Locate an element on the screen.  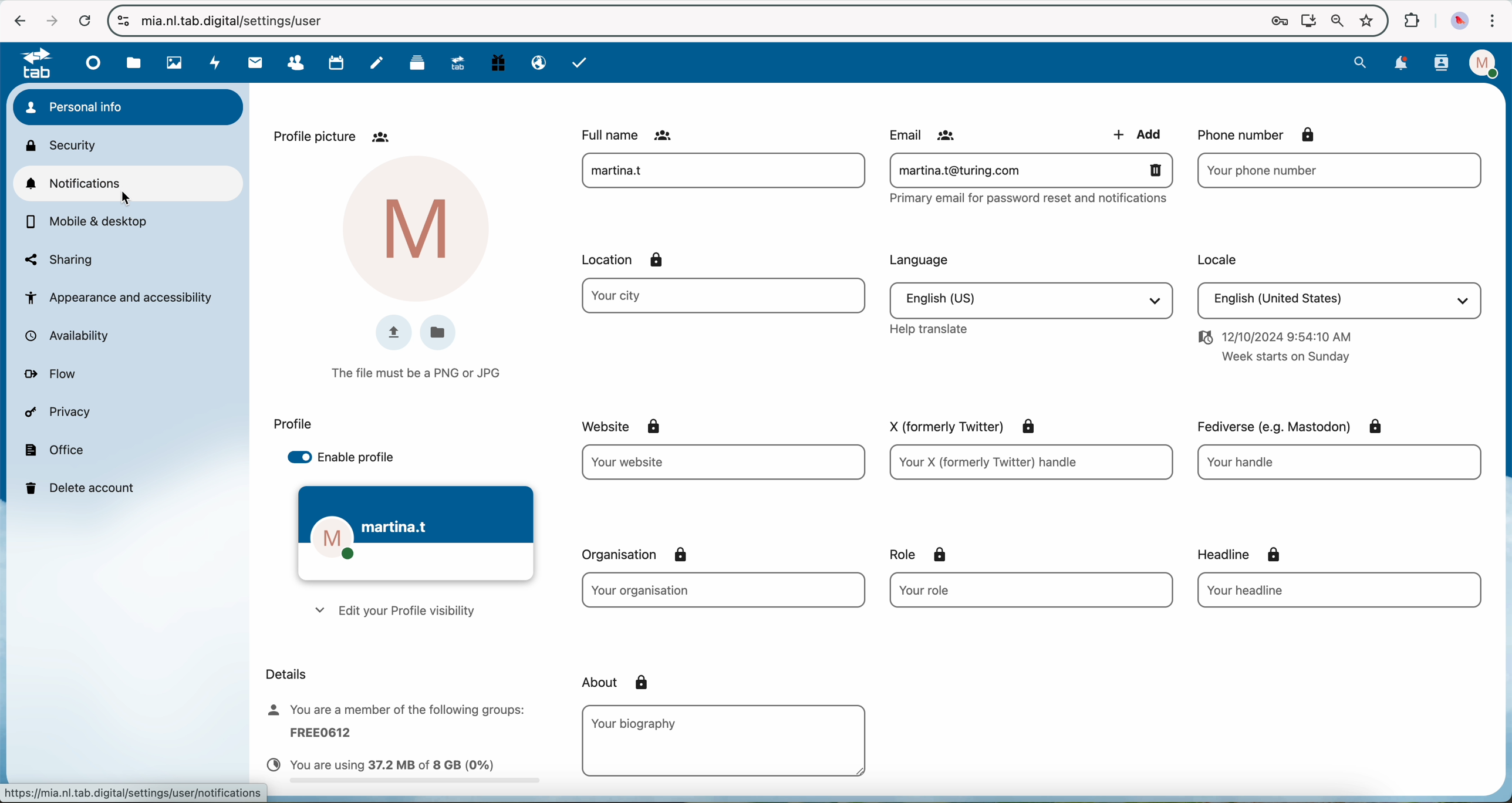
date and hour is located at coordinates (1277, 346).